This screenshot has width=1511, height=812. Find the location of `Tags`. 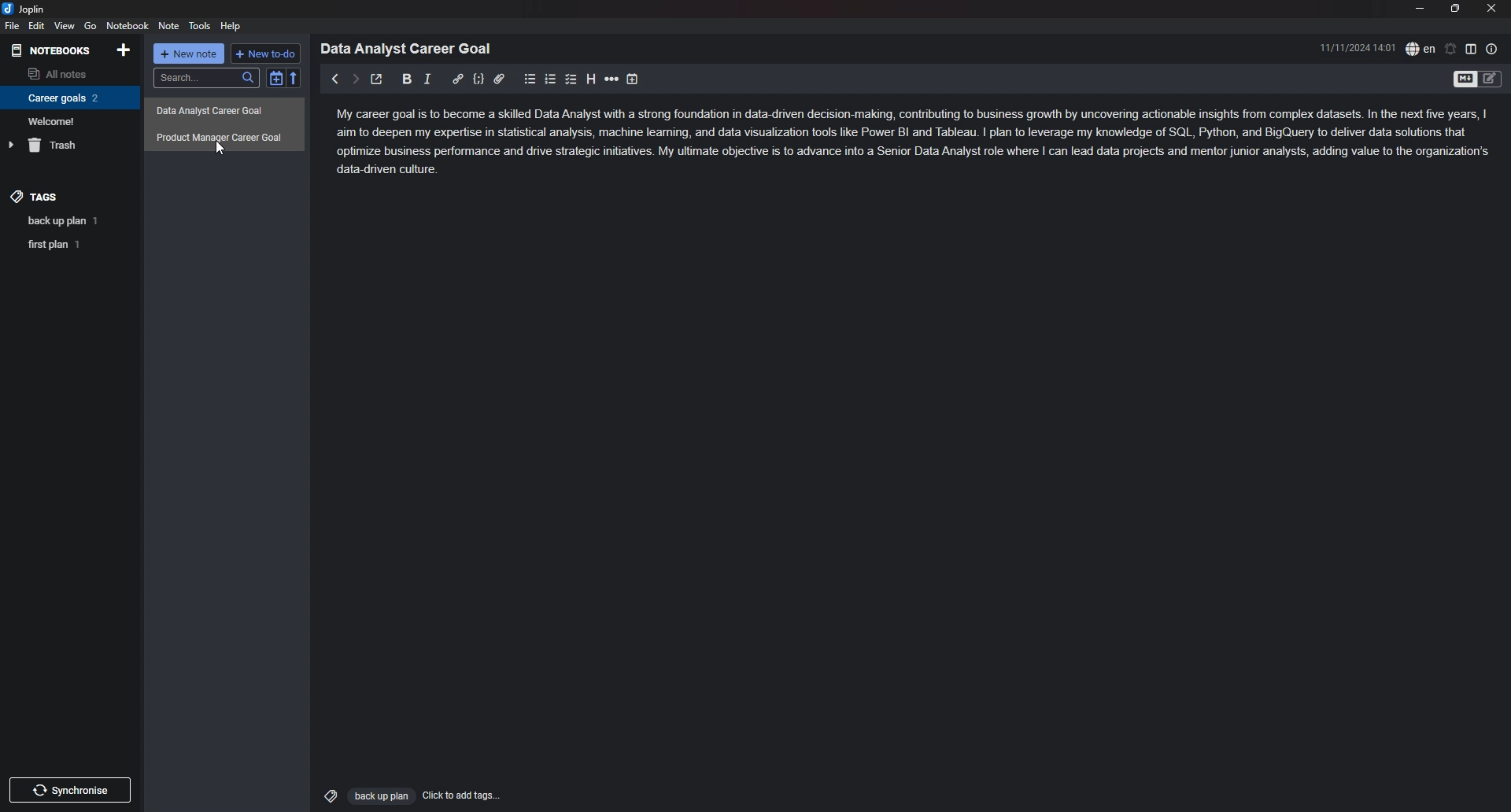

Tags is located at coordinates (327, 794).